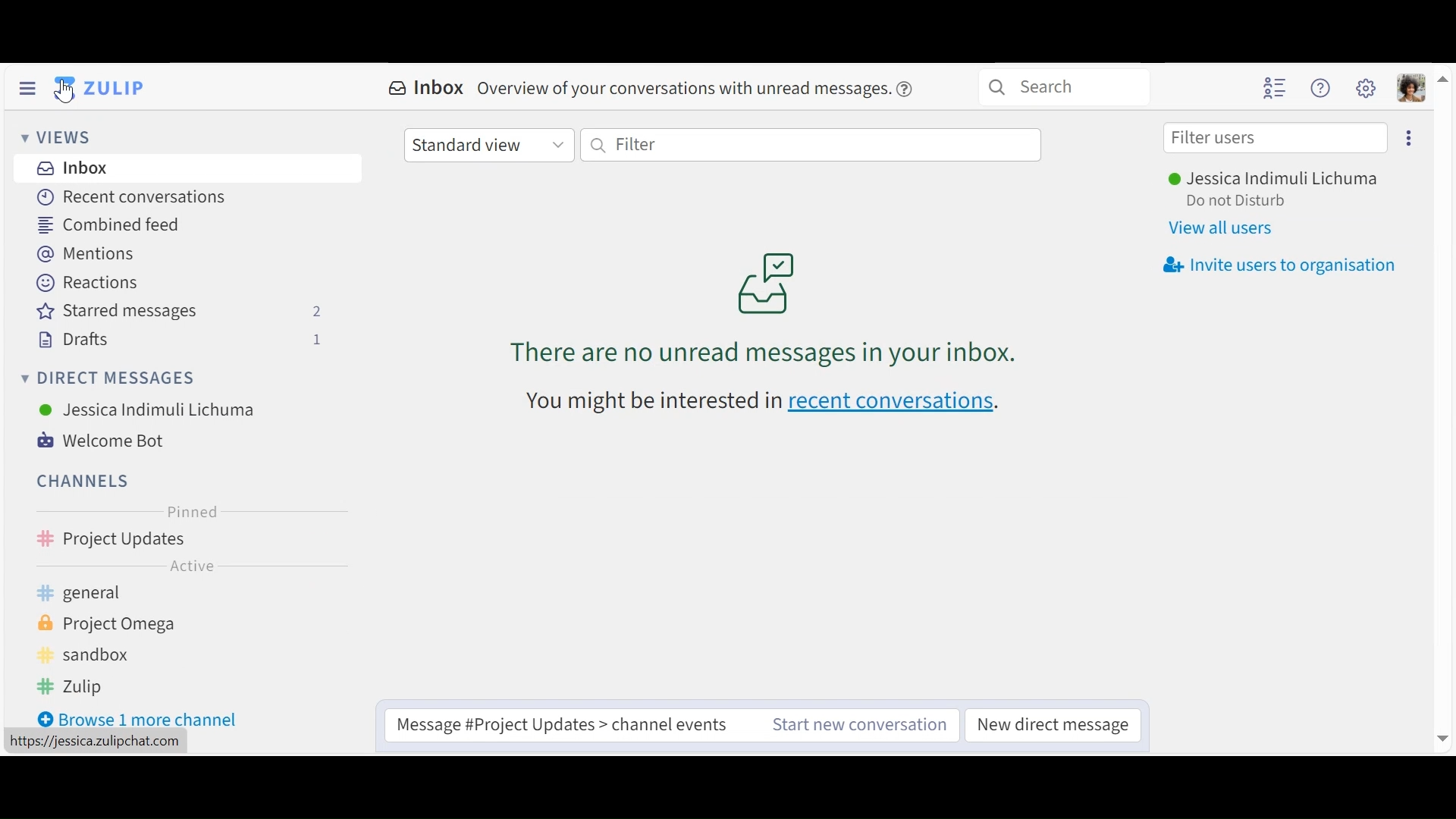  I want to click on Reactions, so click(88, 283).